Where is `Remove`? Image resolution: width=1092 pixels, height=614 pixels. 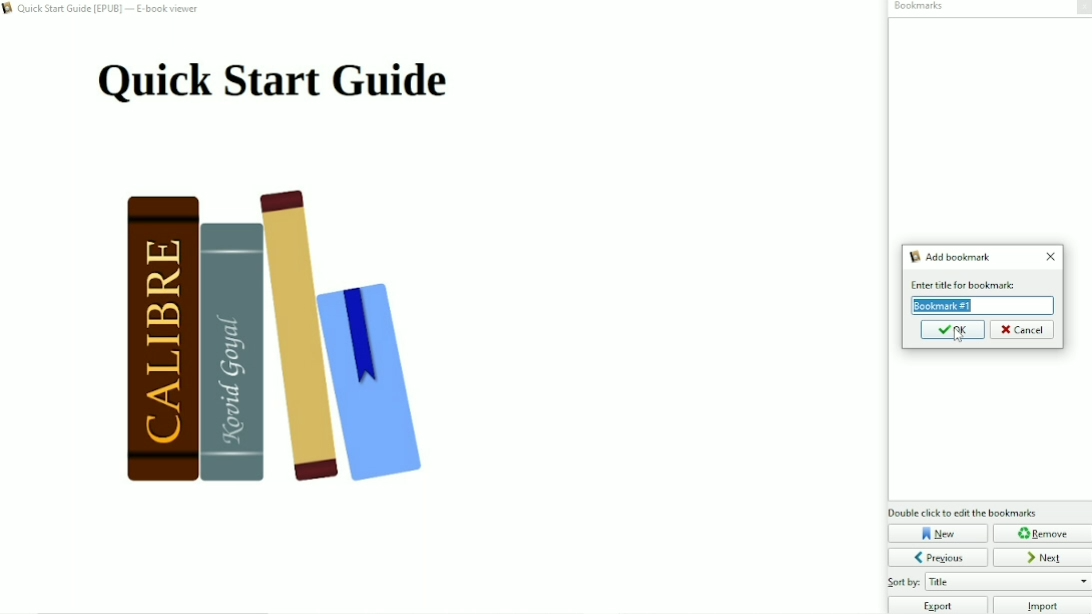
Remove is located at coordinates (1042, 533).